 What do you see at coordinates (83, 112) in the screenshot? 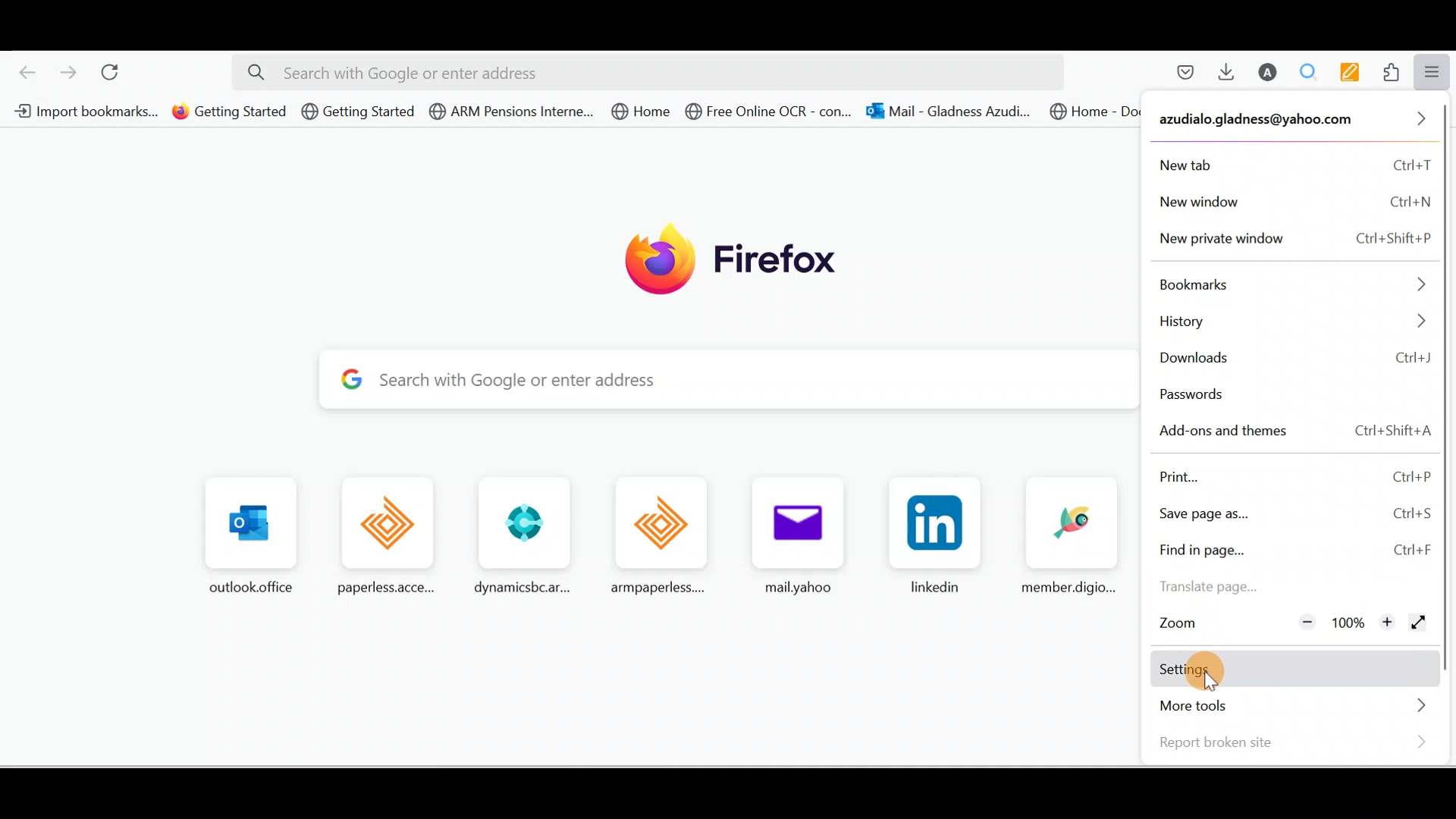
I see `Bookmark 1` at bounding box center [83, 112].